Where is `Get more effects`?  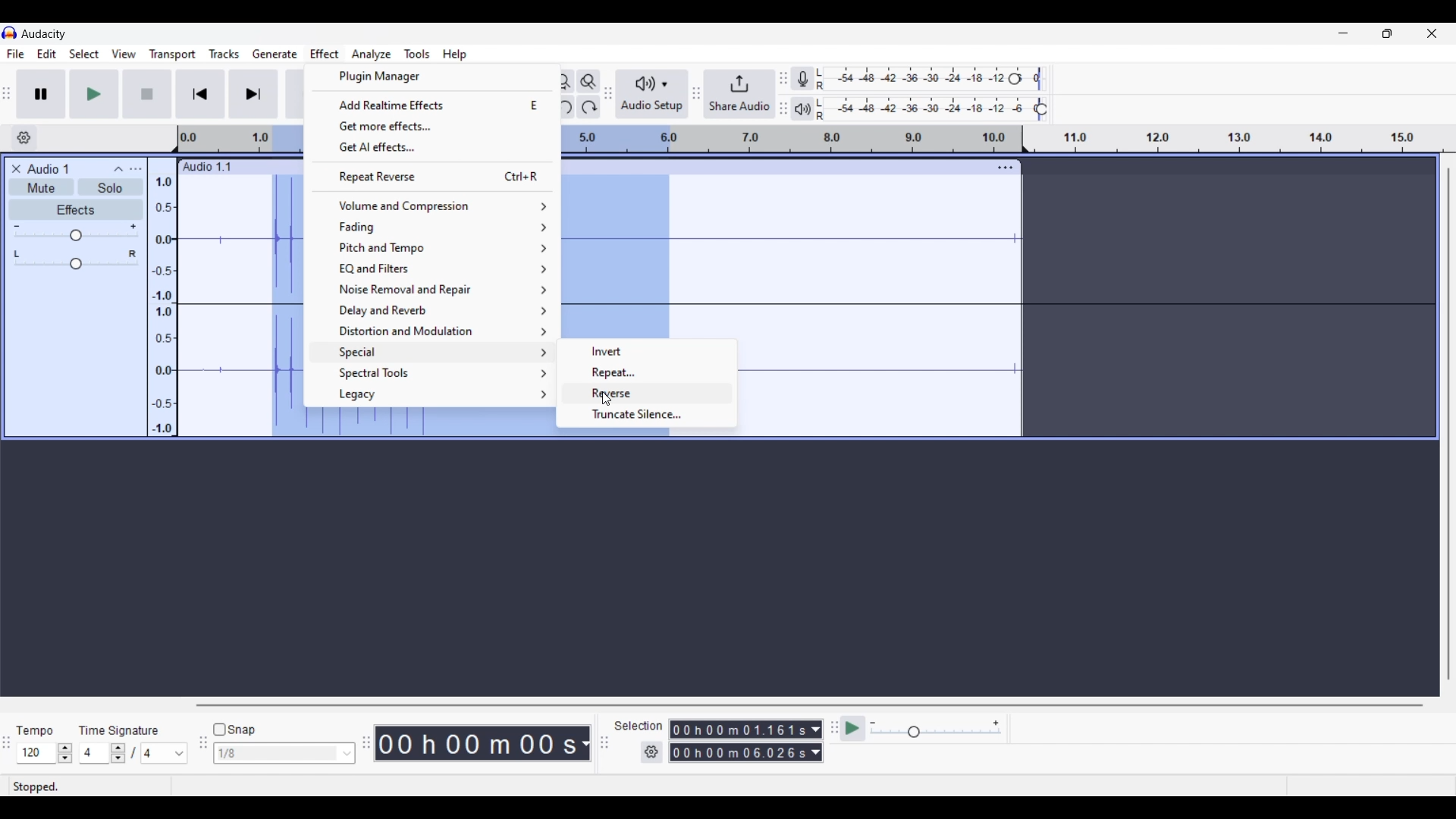
Get more effects is located at coordinates (432, 126).